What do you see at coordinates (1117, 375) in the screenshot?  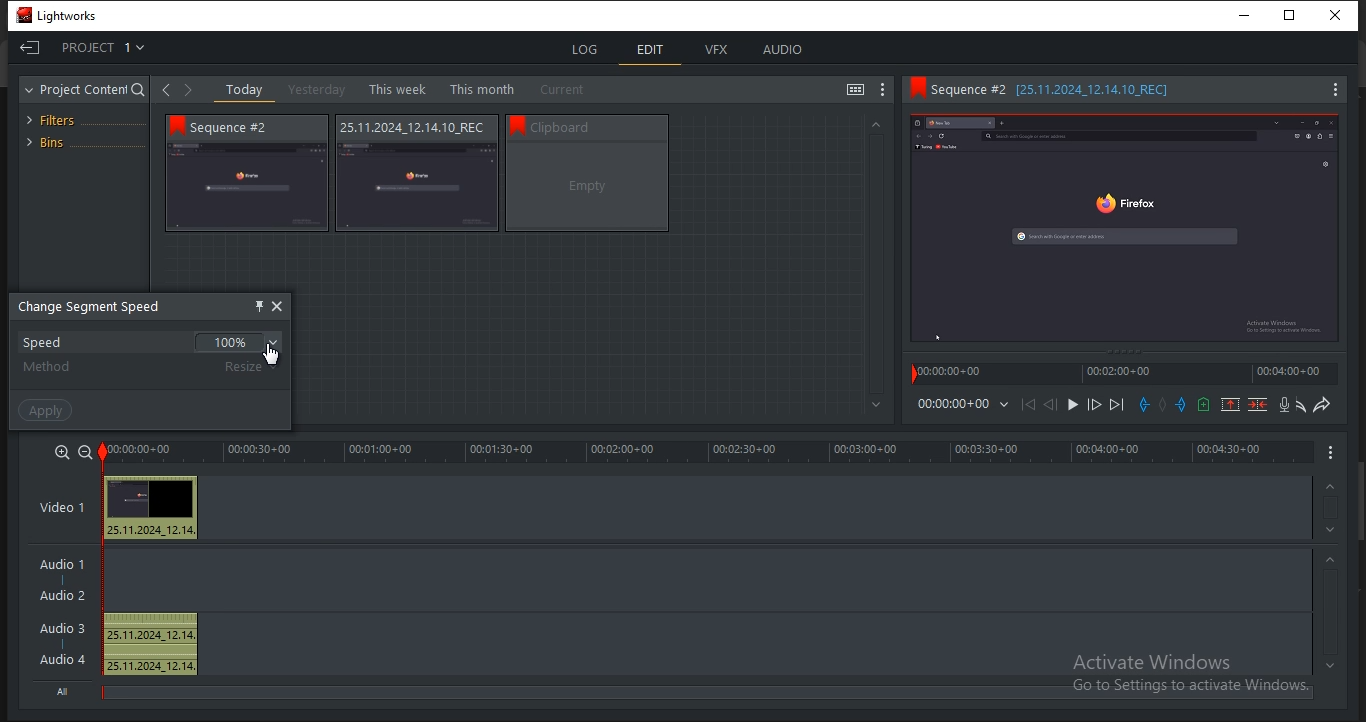 I see `time stamp` at bounding box center [1117, 375].